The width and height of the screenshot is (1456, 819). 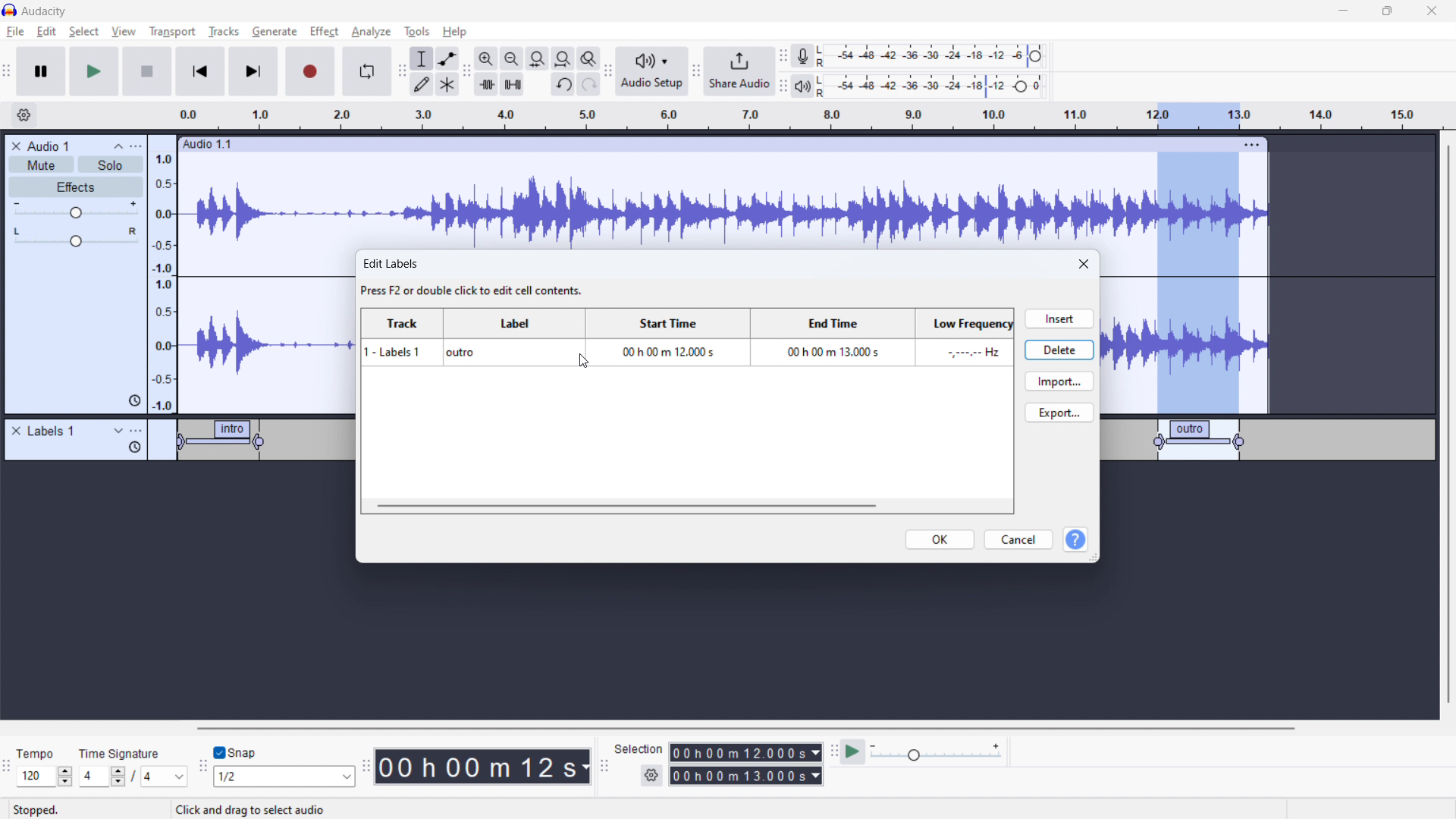 What do you see at coordinates (121, 753) in the screenshot?
I see `time signature` at bounding box center [121, 753].